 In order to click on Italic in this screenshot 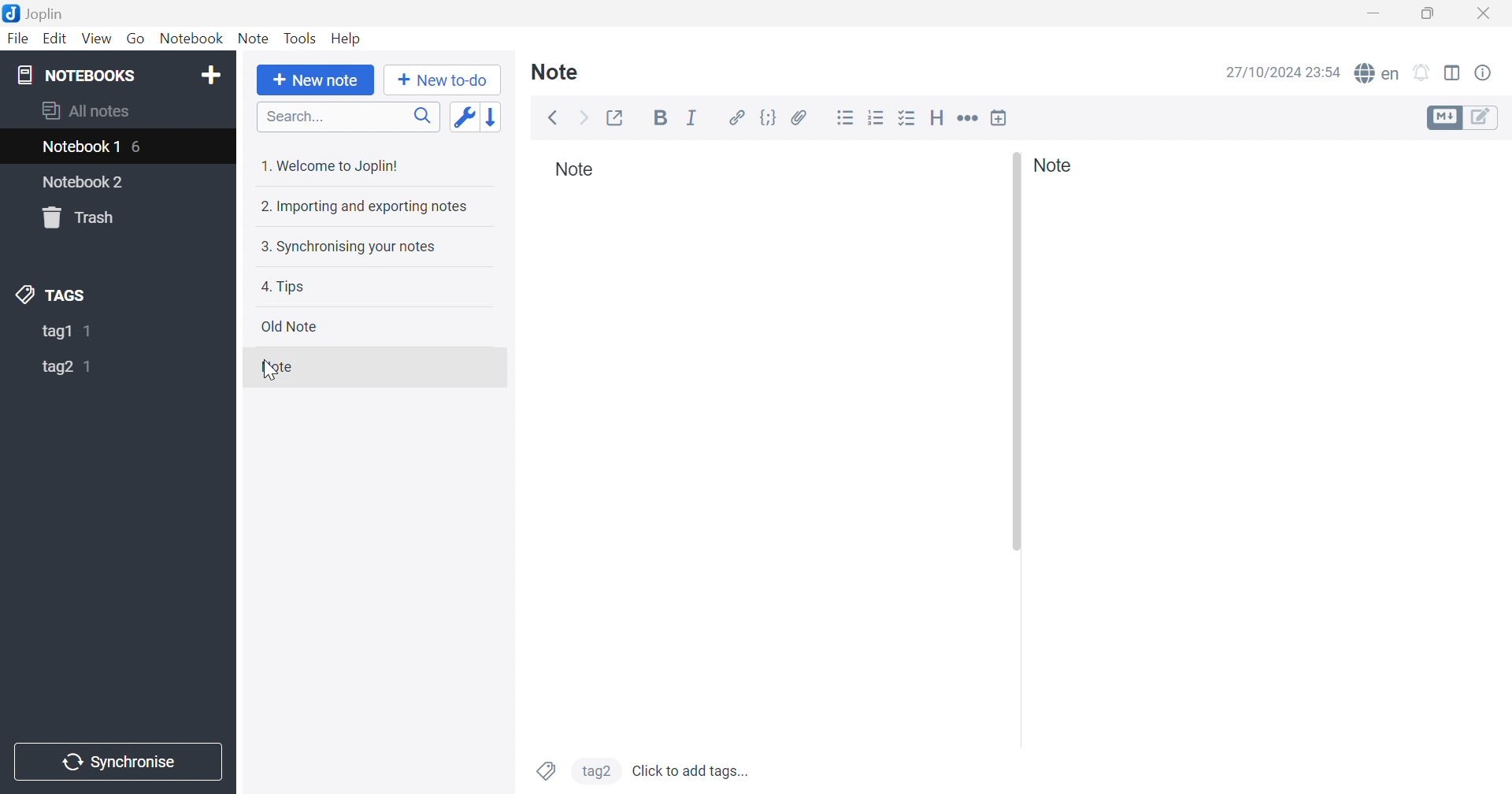, I will do `click(692, 118)`.